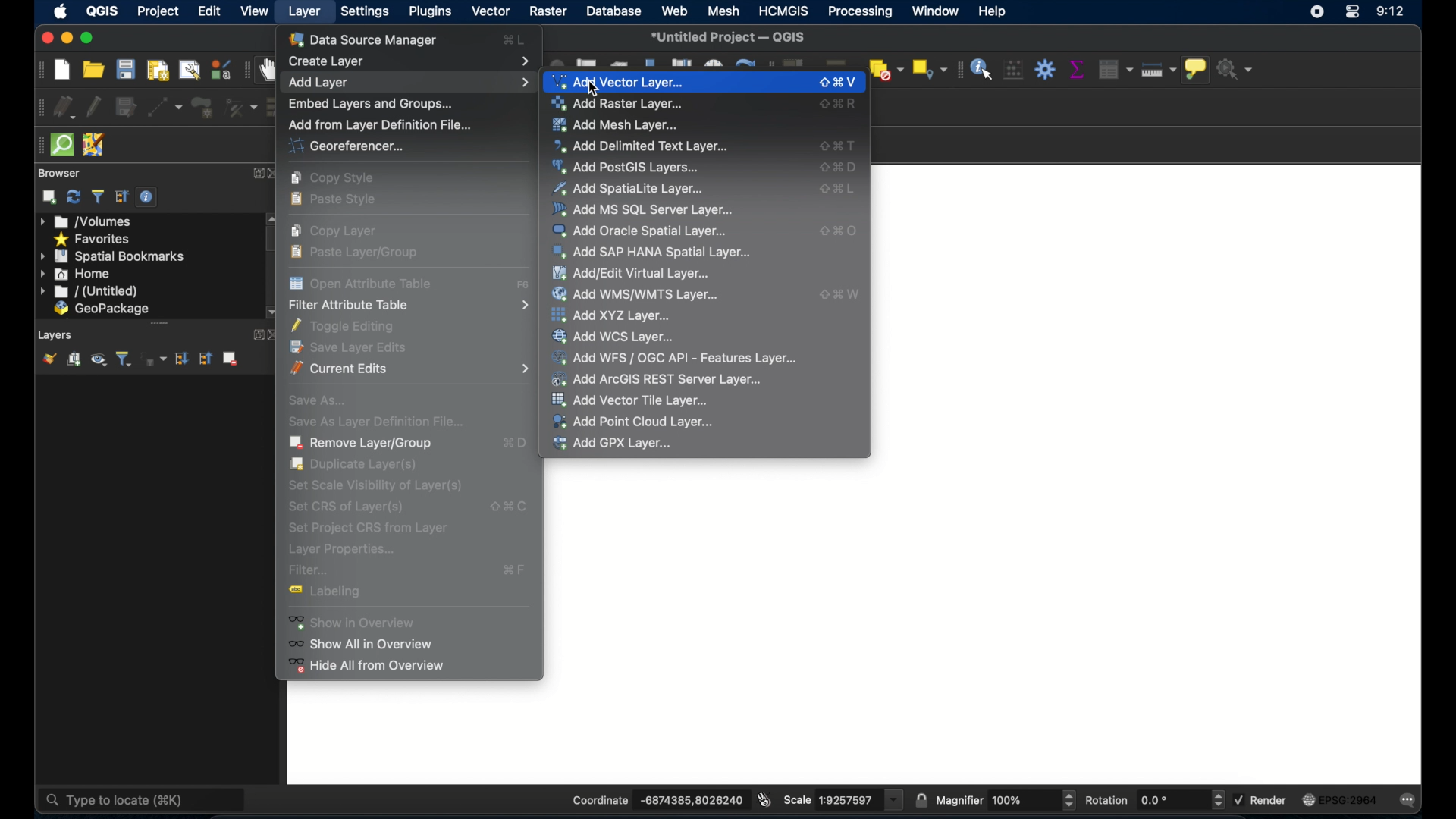 This screenshot has height=819, width=1456. What do you see at coordinates (89, 38) in the screenshot?
I see `maximize` at bounding box center [89, 38].